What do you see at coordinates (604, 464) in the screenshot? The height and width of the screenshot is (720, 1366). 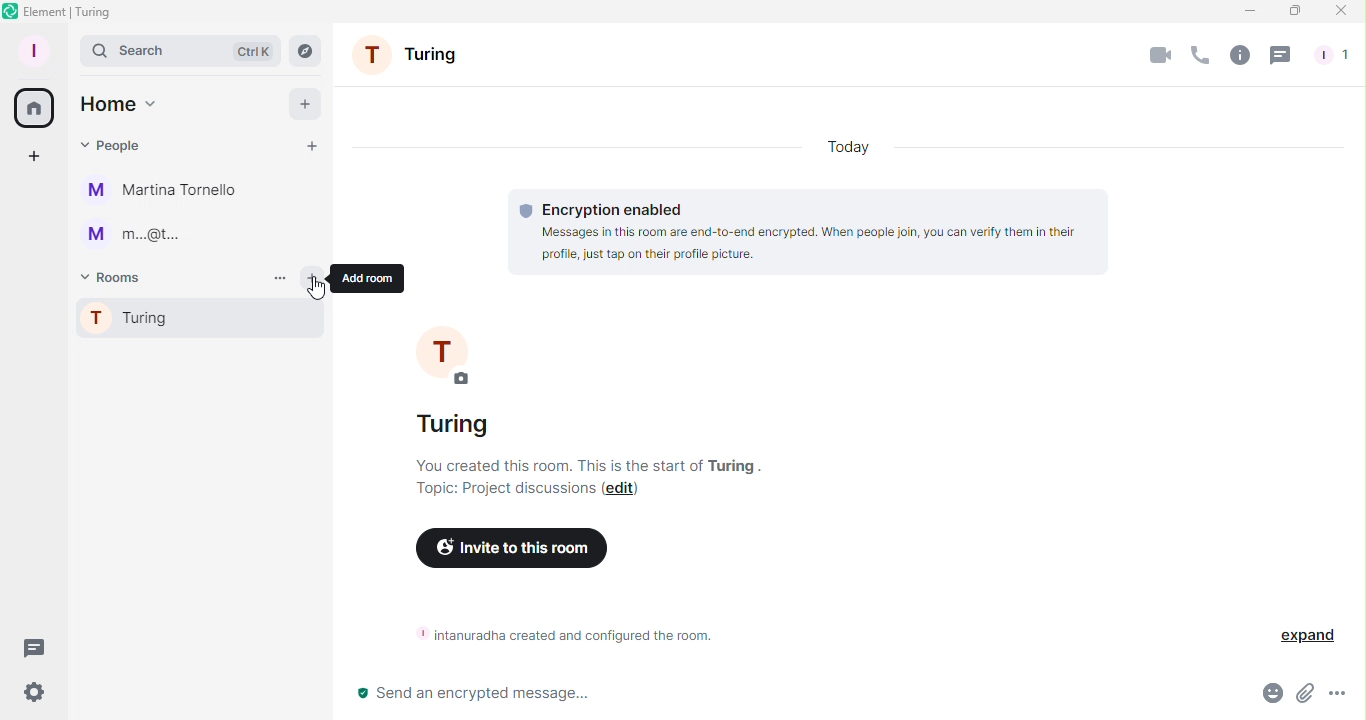 I see `you created this room. this is the stsrt of turing.` at bounding box center [604, 464].